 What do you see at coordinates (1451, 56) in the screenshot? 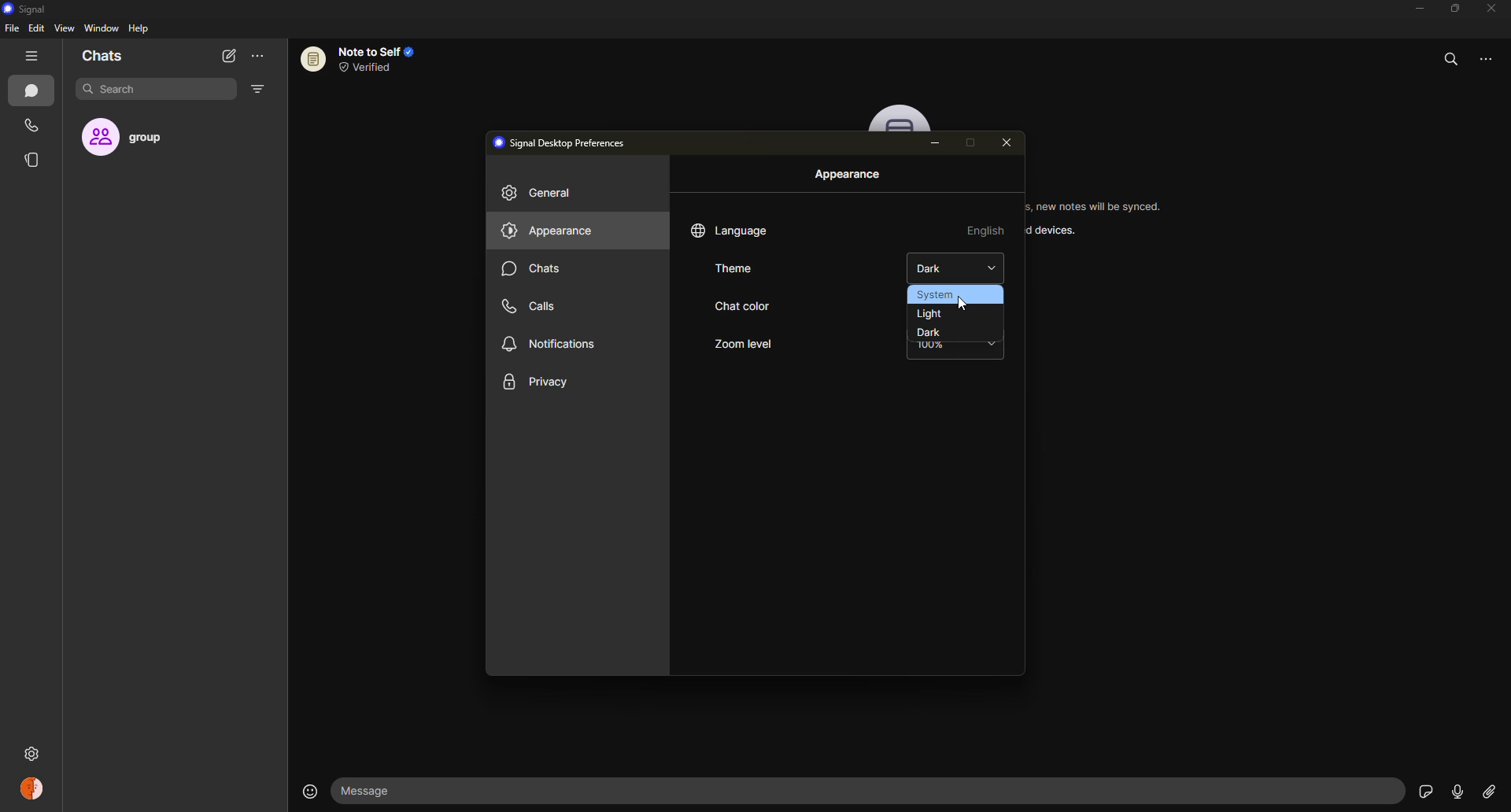
I see `search` at bounding box center [1451, 56].